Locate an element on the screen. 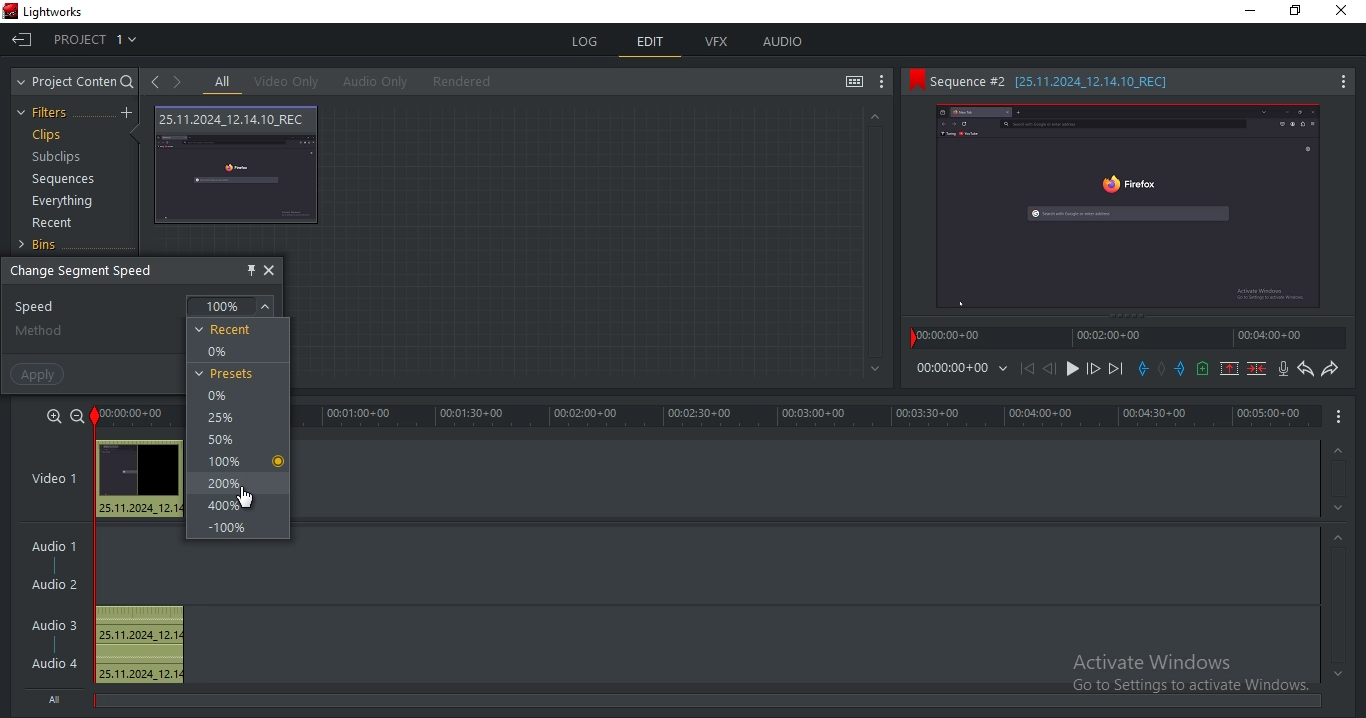  audio only is located at coordinates (377, 81).